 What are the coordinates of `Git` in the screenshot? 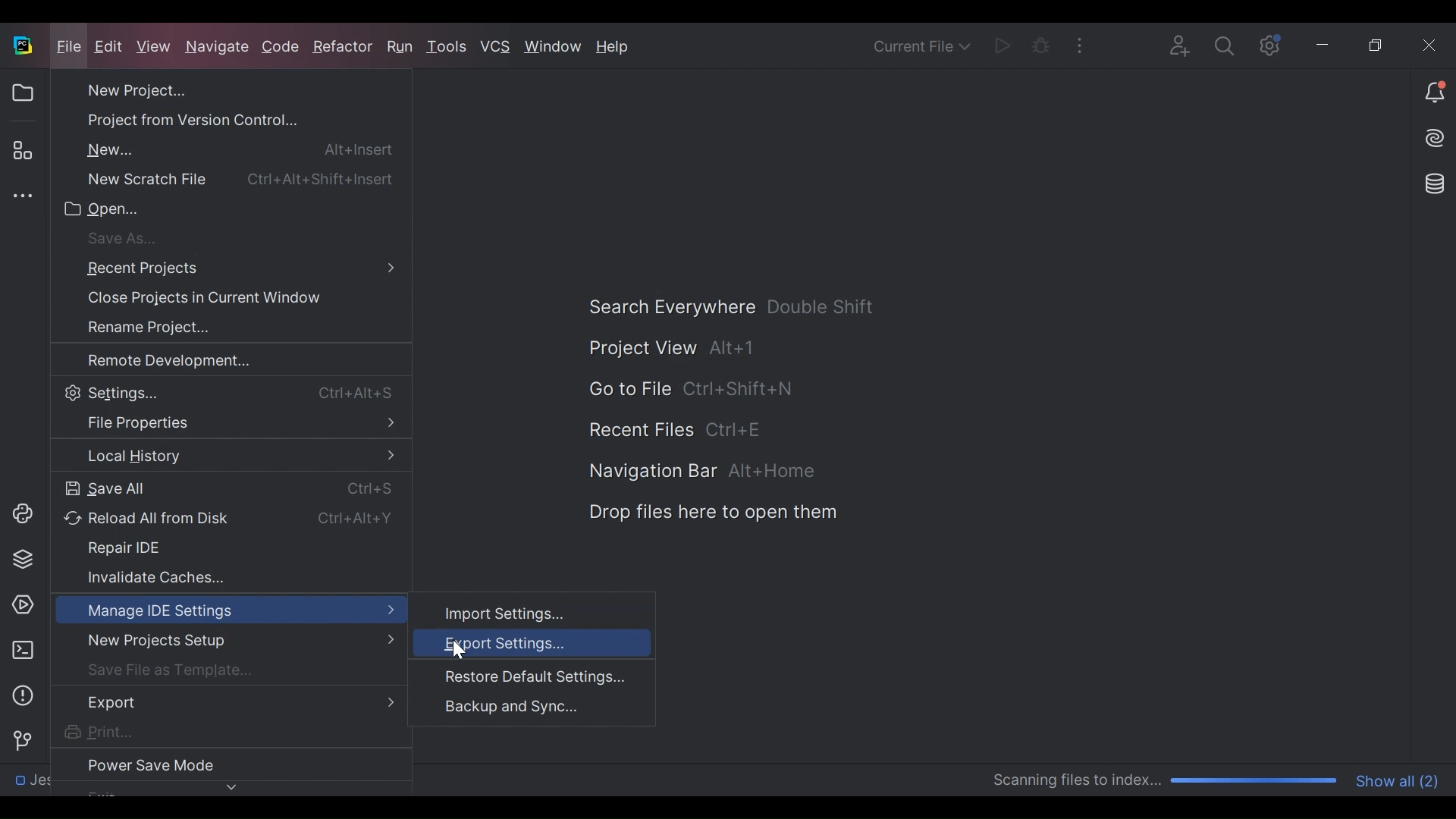 It's located at (18, 739).